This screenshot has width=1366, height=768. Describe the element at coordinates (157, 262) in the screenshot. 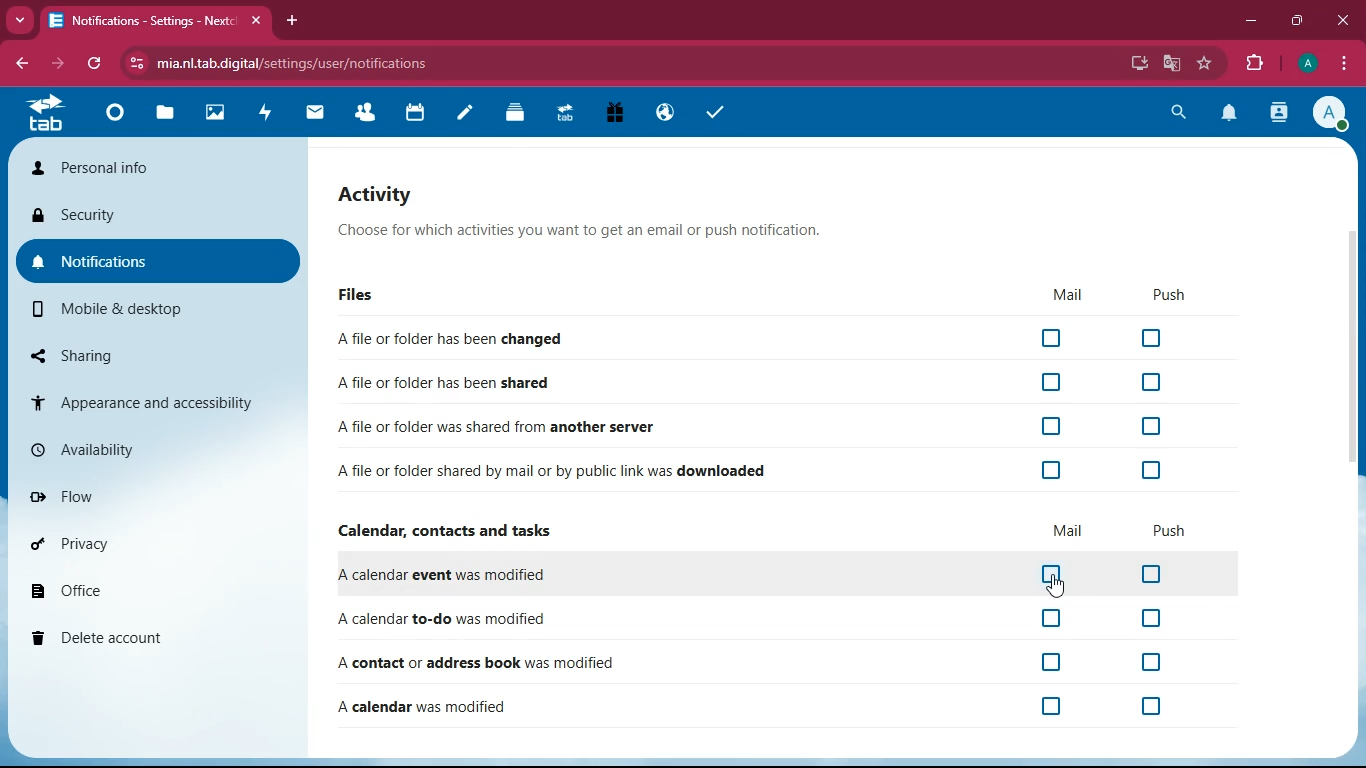

I see `notifications` at that location.